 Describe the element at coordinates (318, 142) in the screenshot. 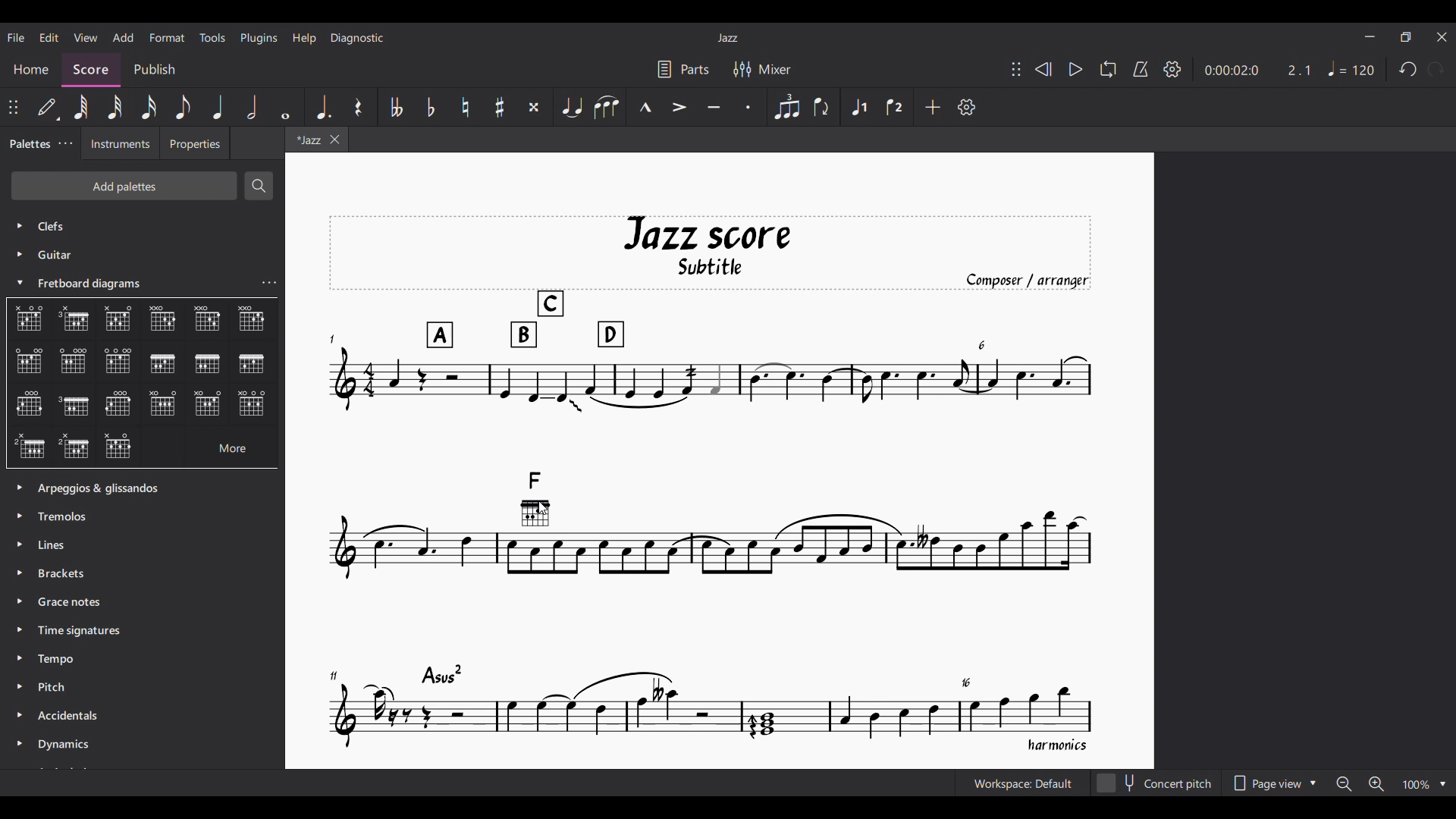

I see `Current tab` at that location.